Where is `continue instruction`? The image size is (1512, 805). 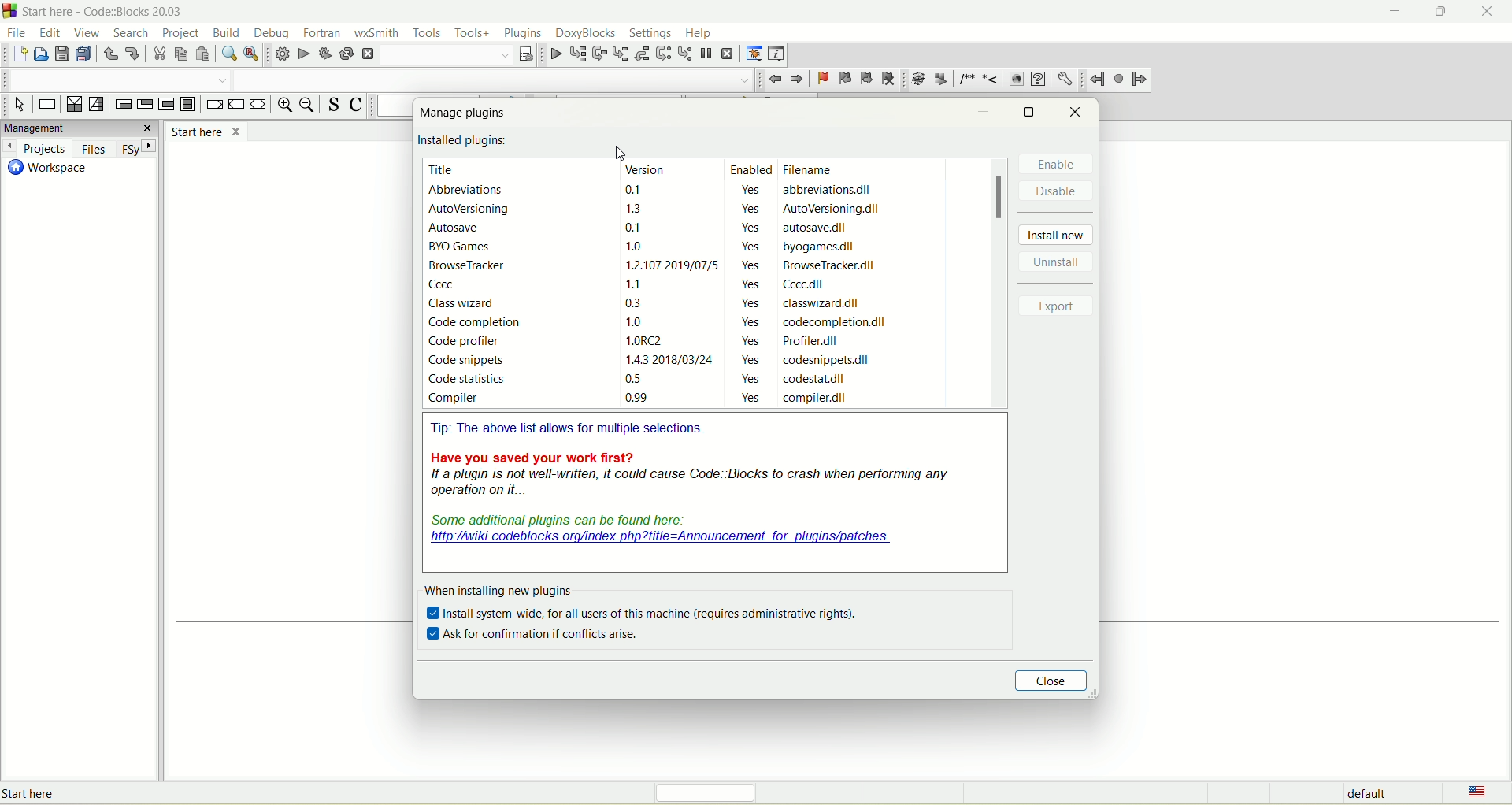
continue instruction is located at coordinates (235, 105).